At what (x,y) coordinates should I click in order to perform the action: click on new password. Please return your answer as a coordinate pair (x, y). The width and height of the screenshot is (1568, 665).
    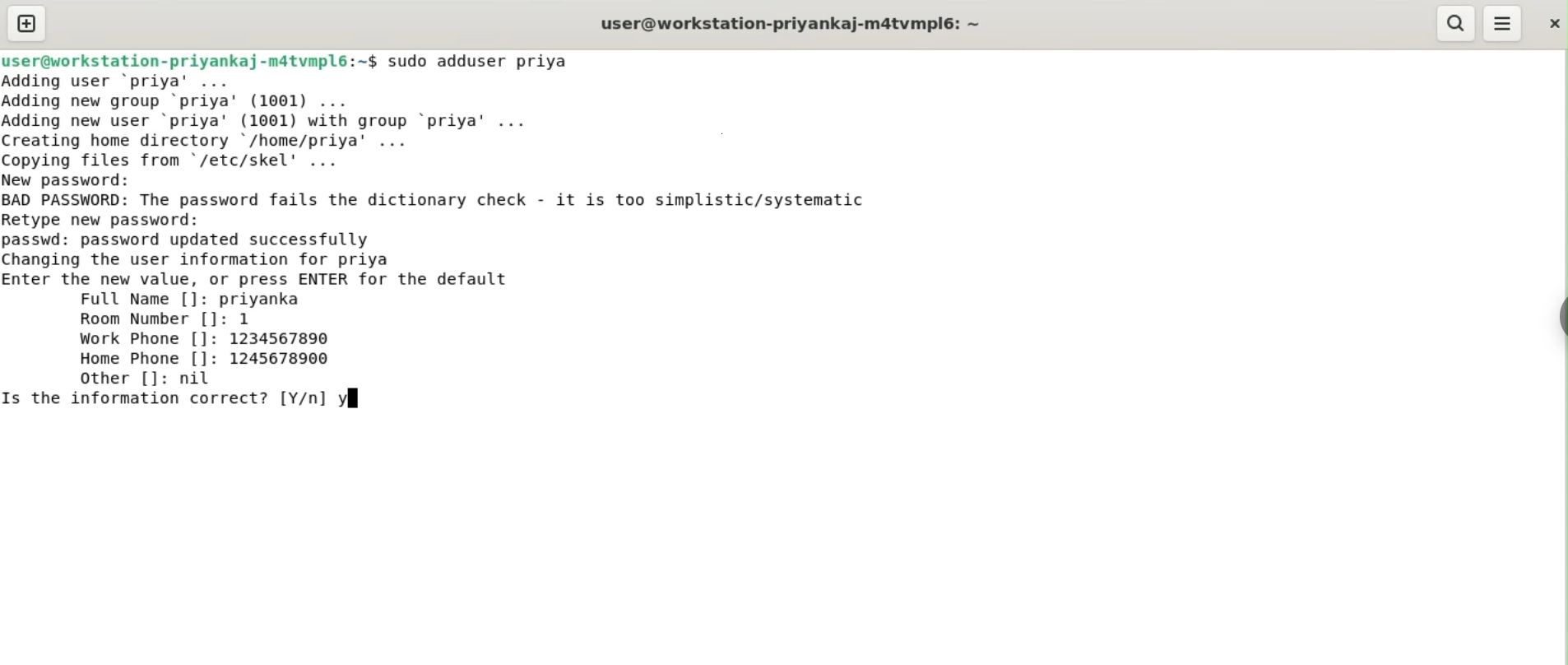
    Looking at the image, I should click on (79, 179).